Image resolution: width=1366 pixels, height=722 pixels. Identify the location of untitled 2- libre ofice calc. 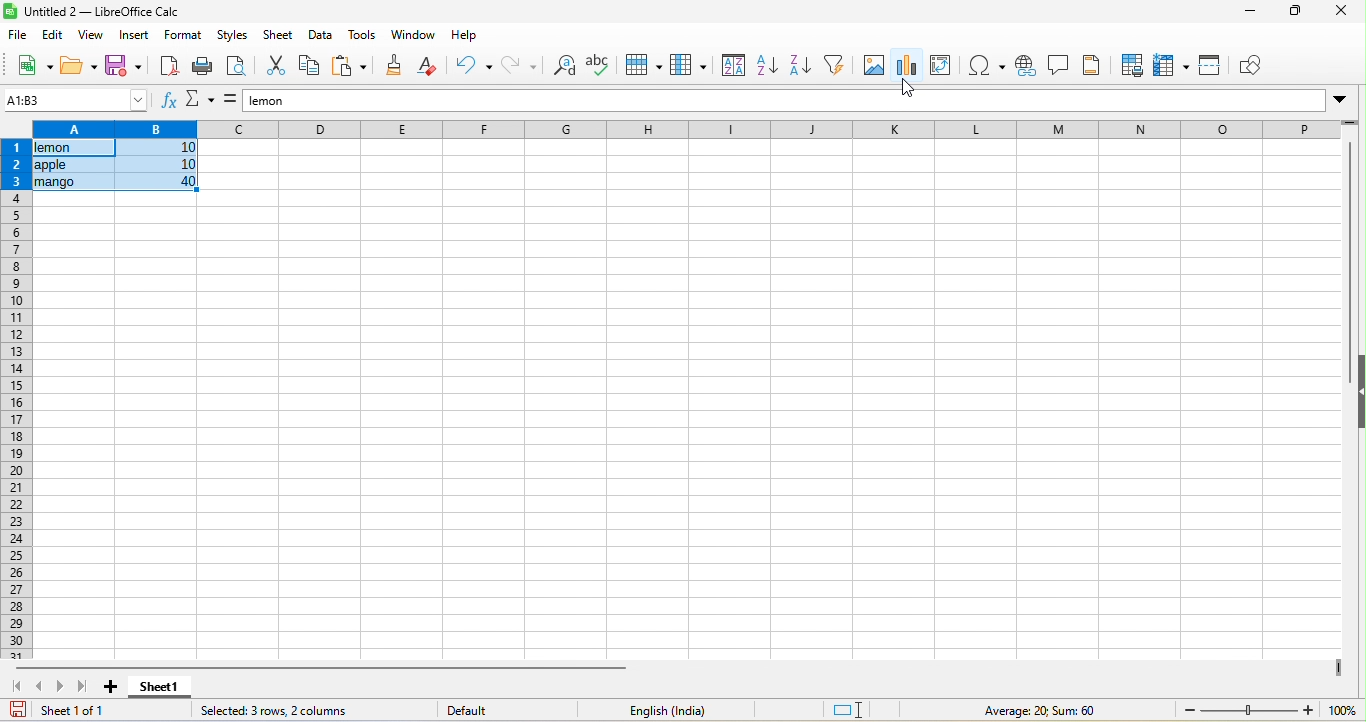
(109, 13).